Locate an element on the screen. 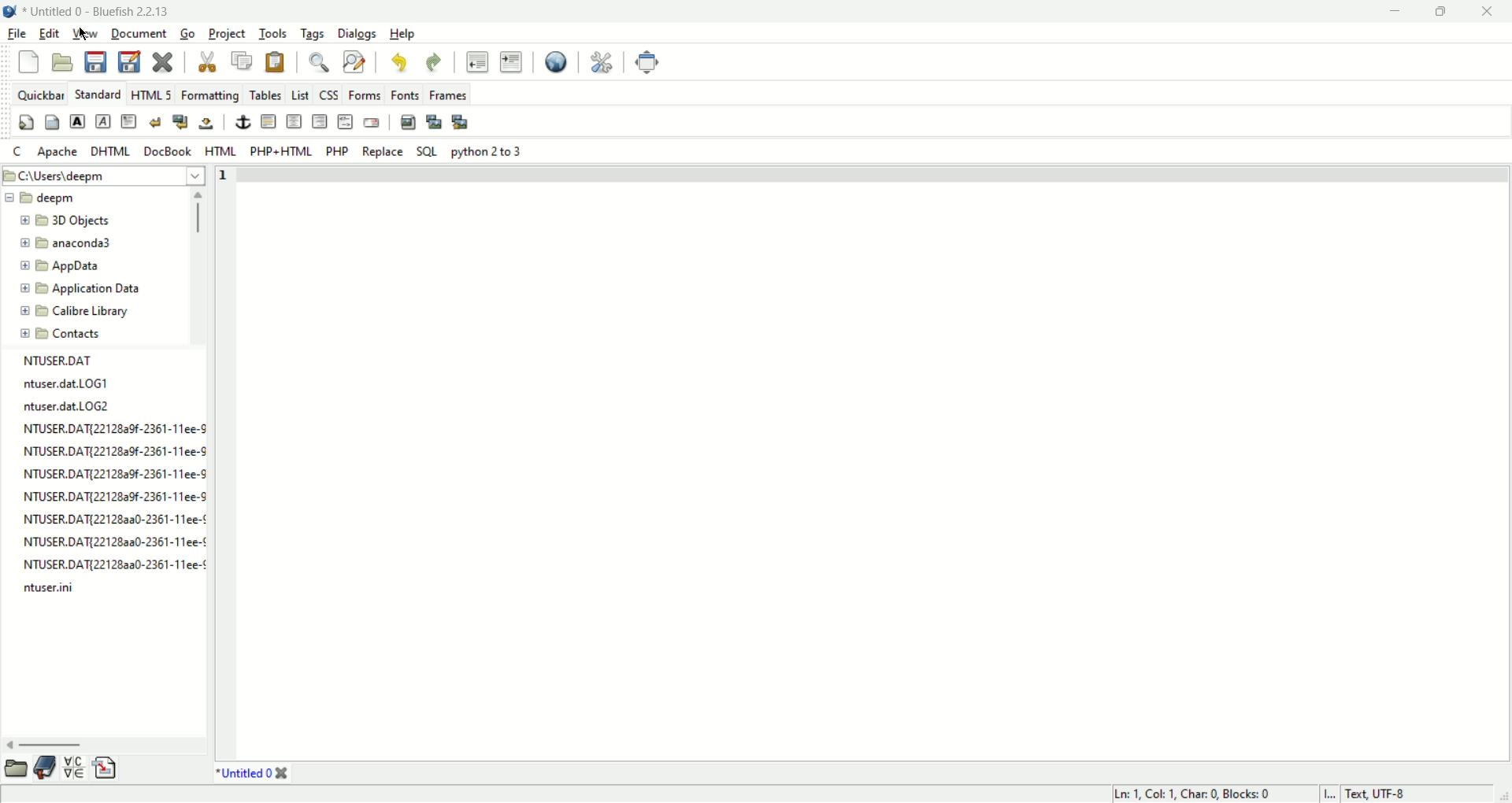 The image size is (1512, 803). NTUSER.DAT{221282a9f-2361-11ee-9 is located at coordinates (117, 495).